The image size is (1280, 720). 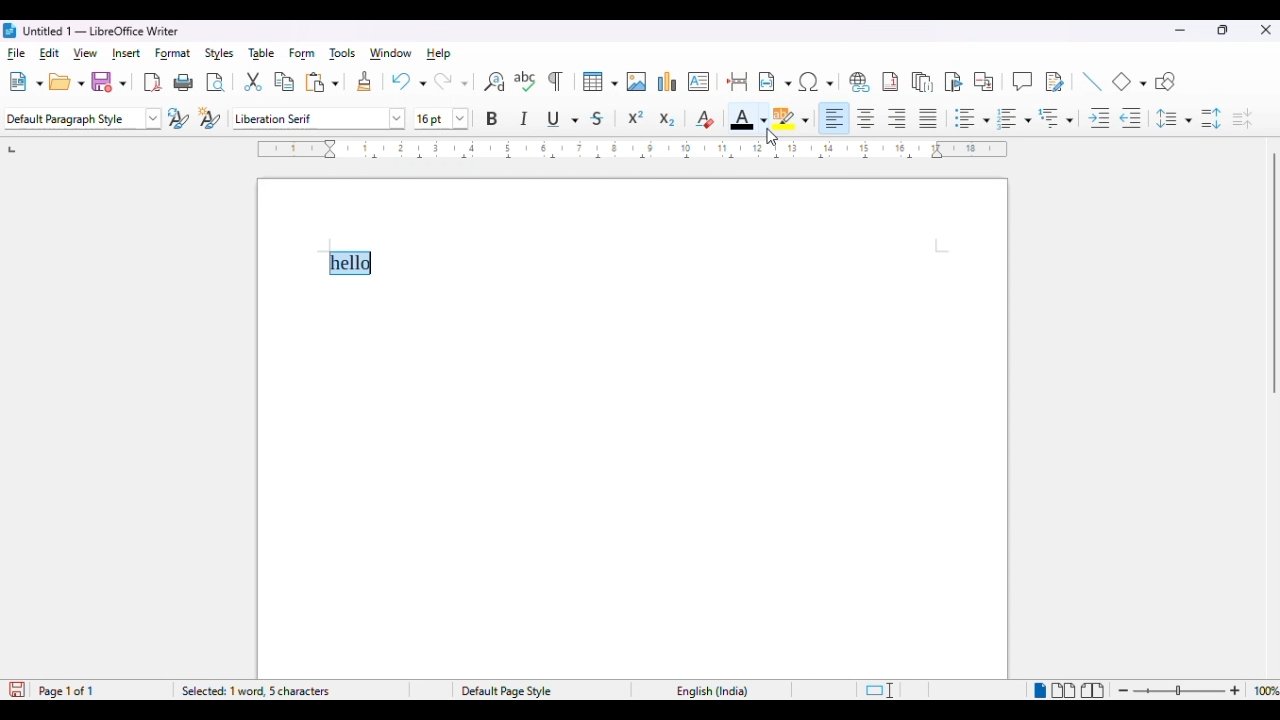 What do you see at coordinates (152, 83) in the screenshot?
I see `export directly as PDF` at bounding box center [152, 83].